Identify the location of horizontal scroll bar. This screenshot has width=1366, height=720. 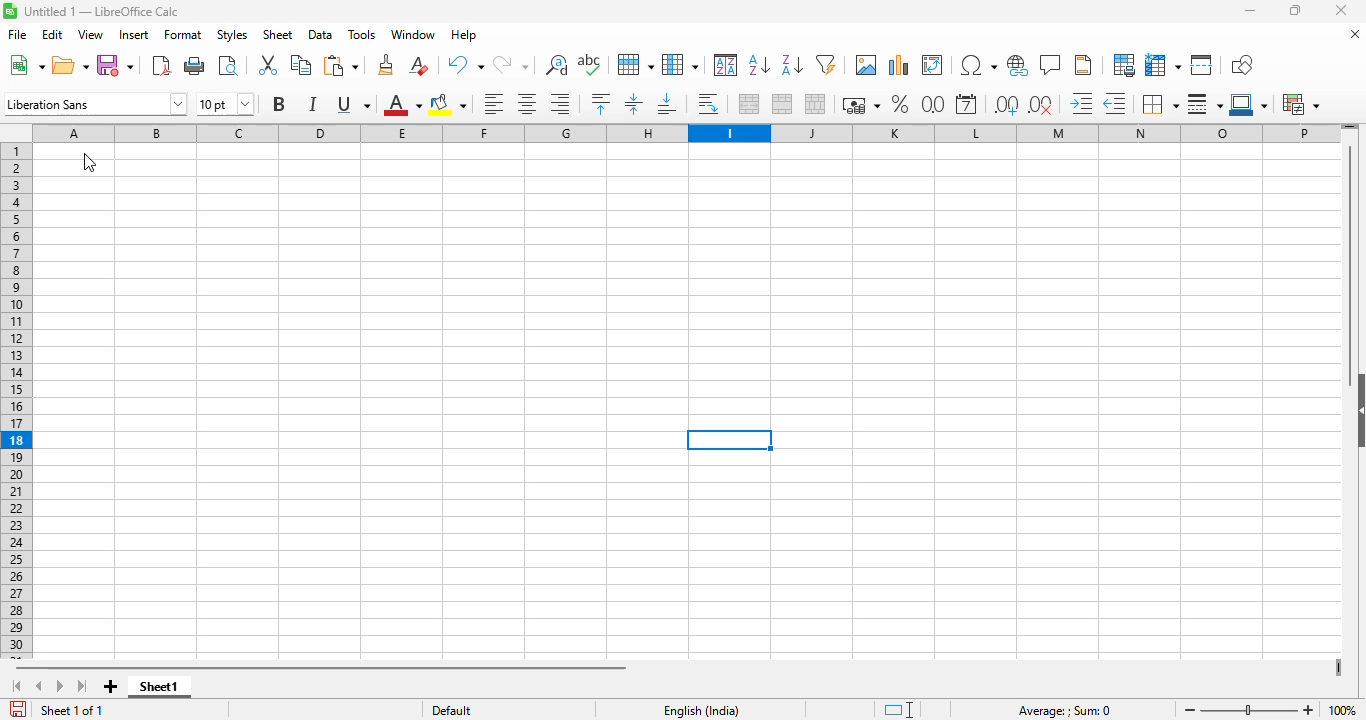
(321, 668).